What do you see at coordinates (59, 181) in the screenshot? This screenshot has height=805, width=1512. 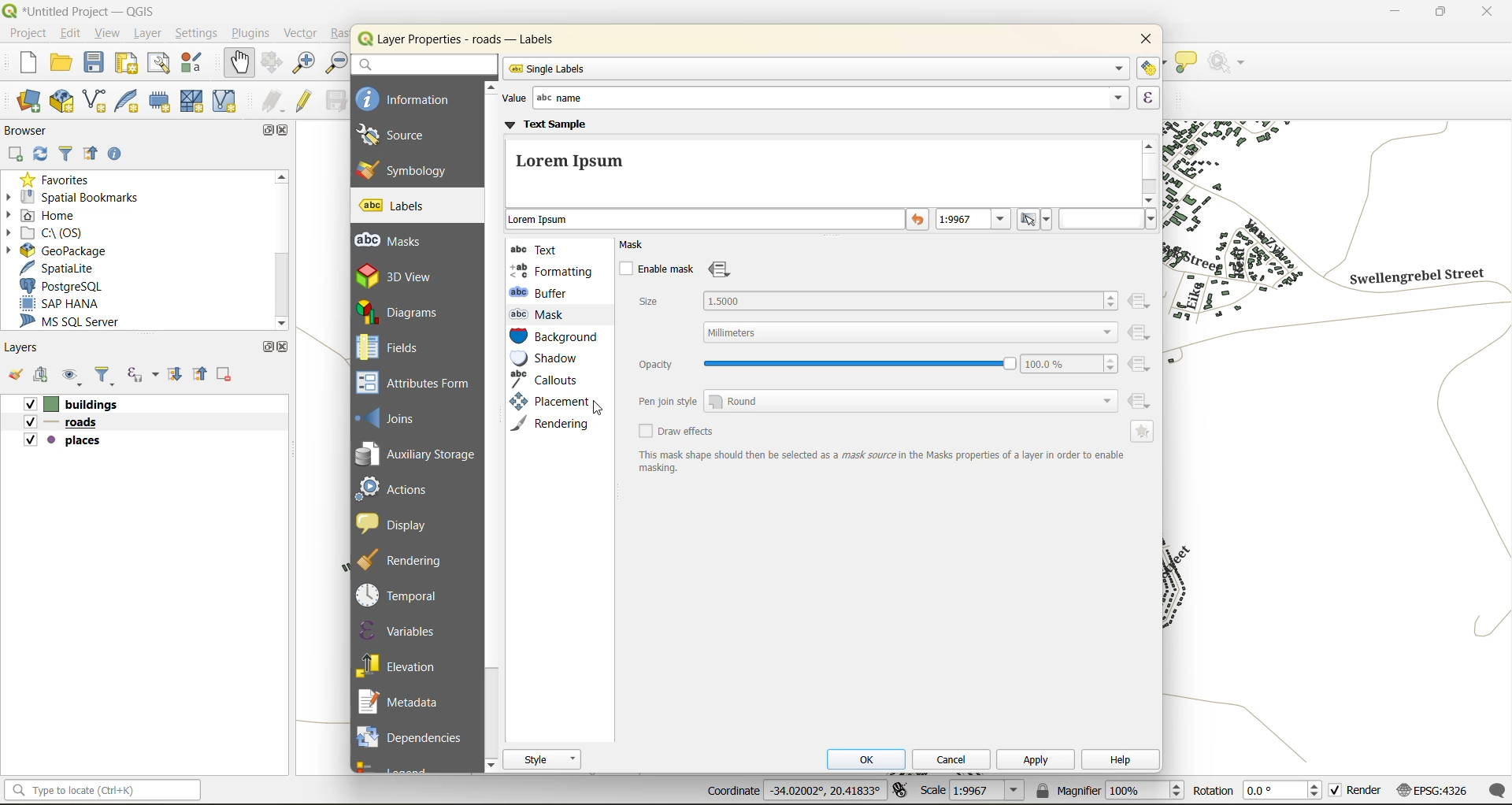 I see `favorites` at bounding box center [59, 181].